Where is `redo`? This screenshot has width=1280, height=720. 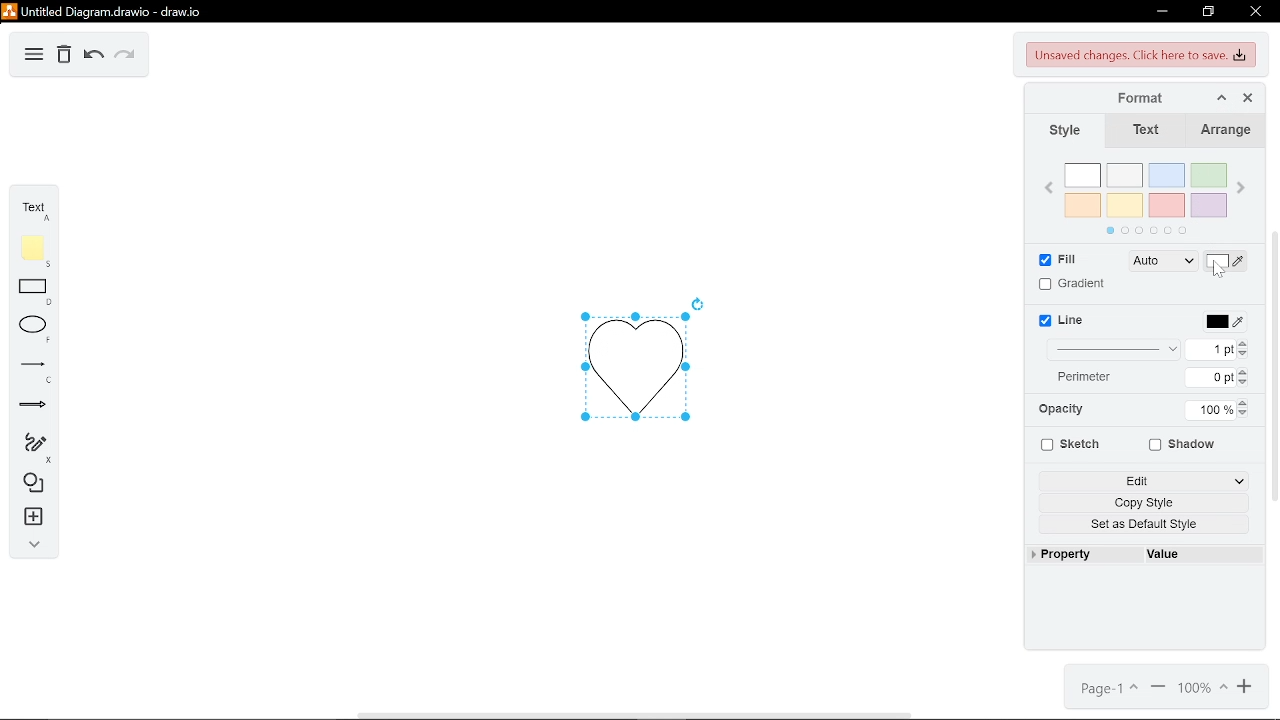
redo is located at coordinates (123, 56).